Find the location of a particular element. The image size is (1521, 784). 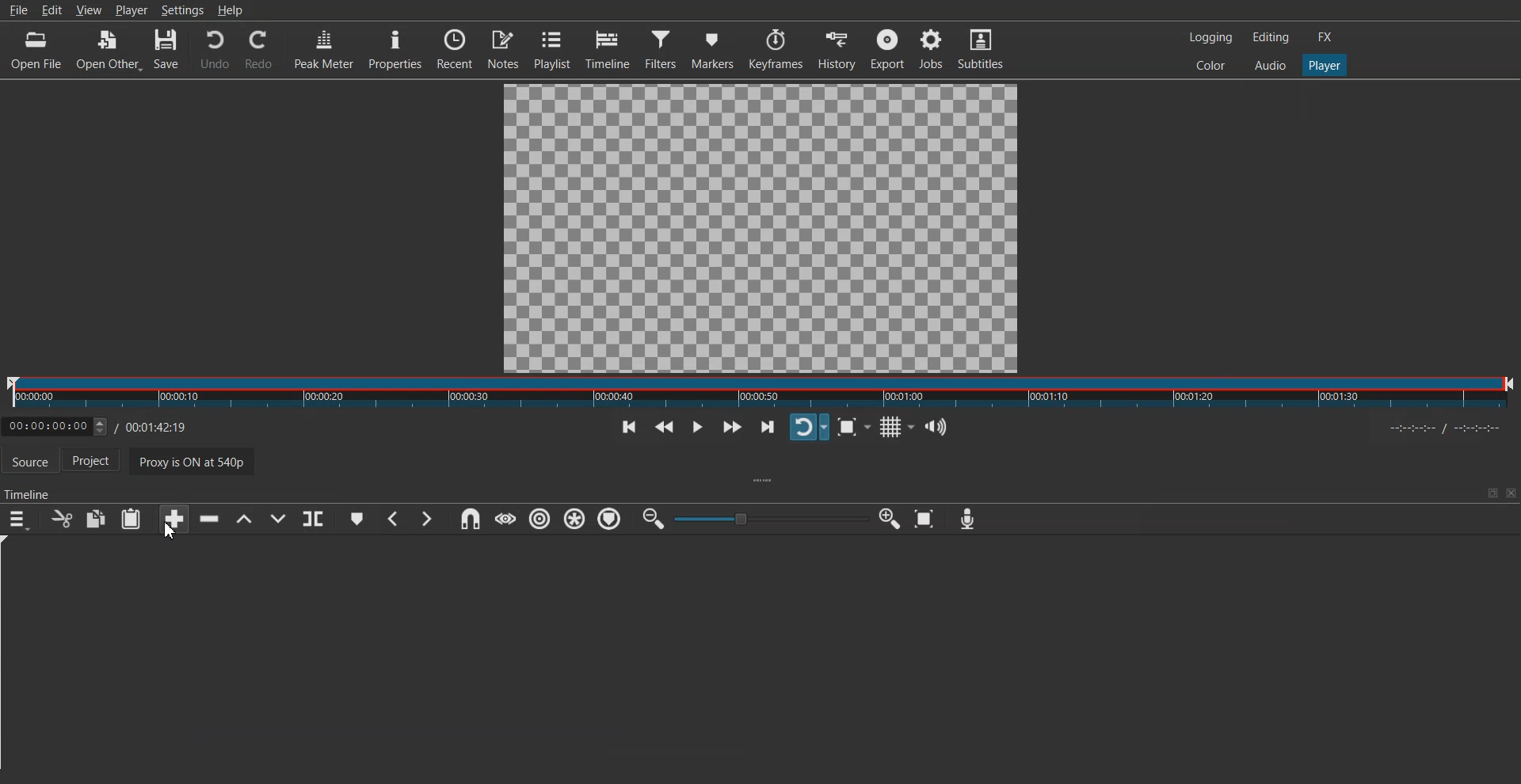

Toggle play or pause is located at coordinates (696, 428).